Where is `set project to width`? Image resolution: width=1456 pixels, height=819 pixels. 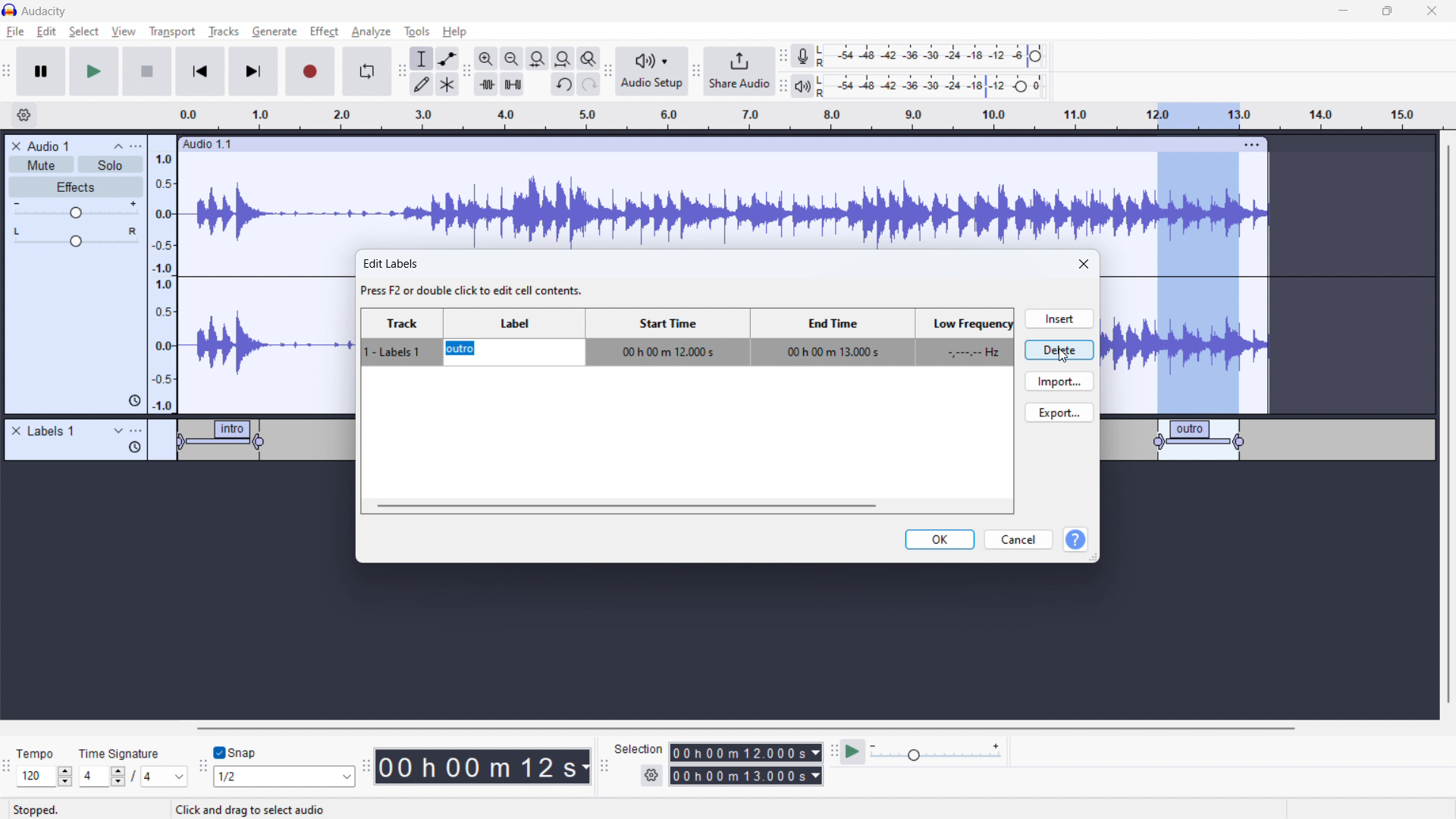
set project to width is located at coordinates (563, 58).